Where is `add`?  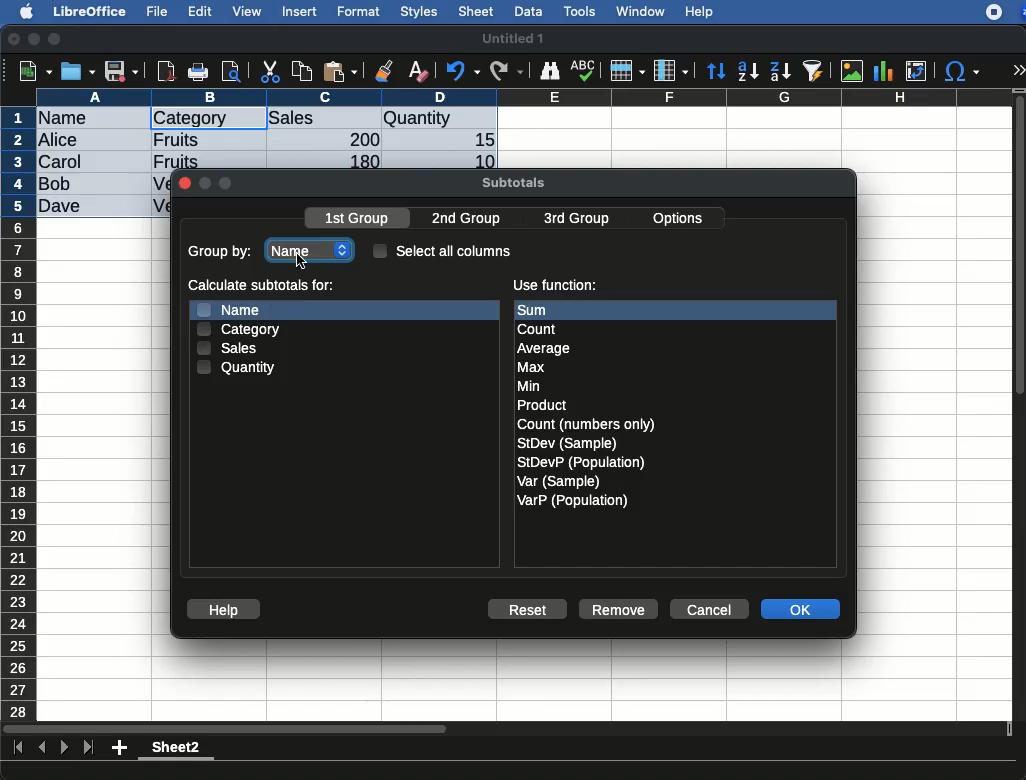 add is located at coordinates (121, 747).